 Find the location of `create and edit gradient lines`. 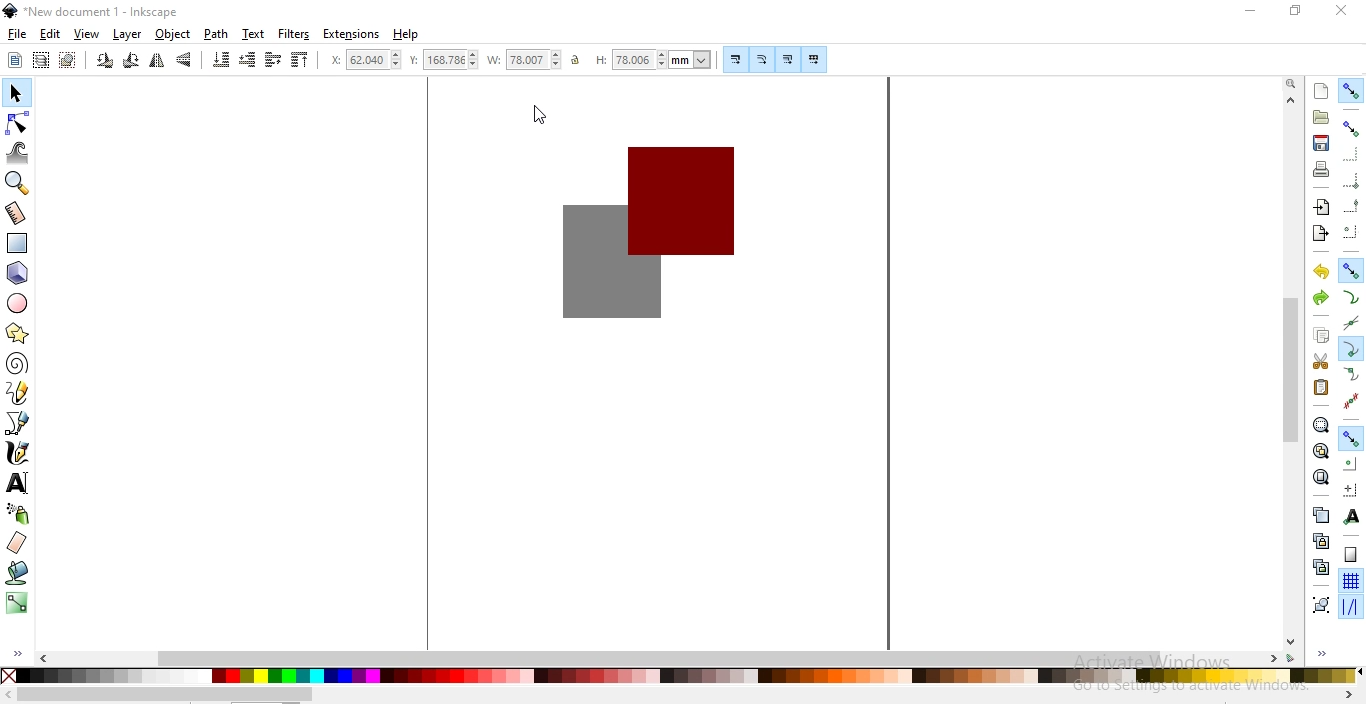

create and edit gradient lines is located at coordinates (15, 601).